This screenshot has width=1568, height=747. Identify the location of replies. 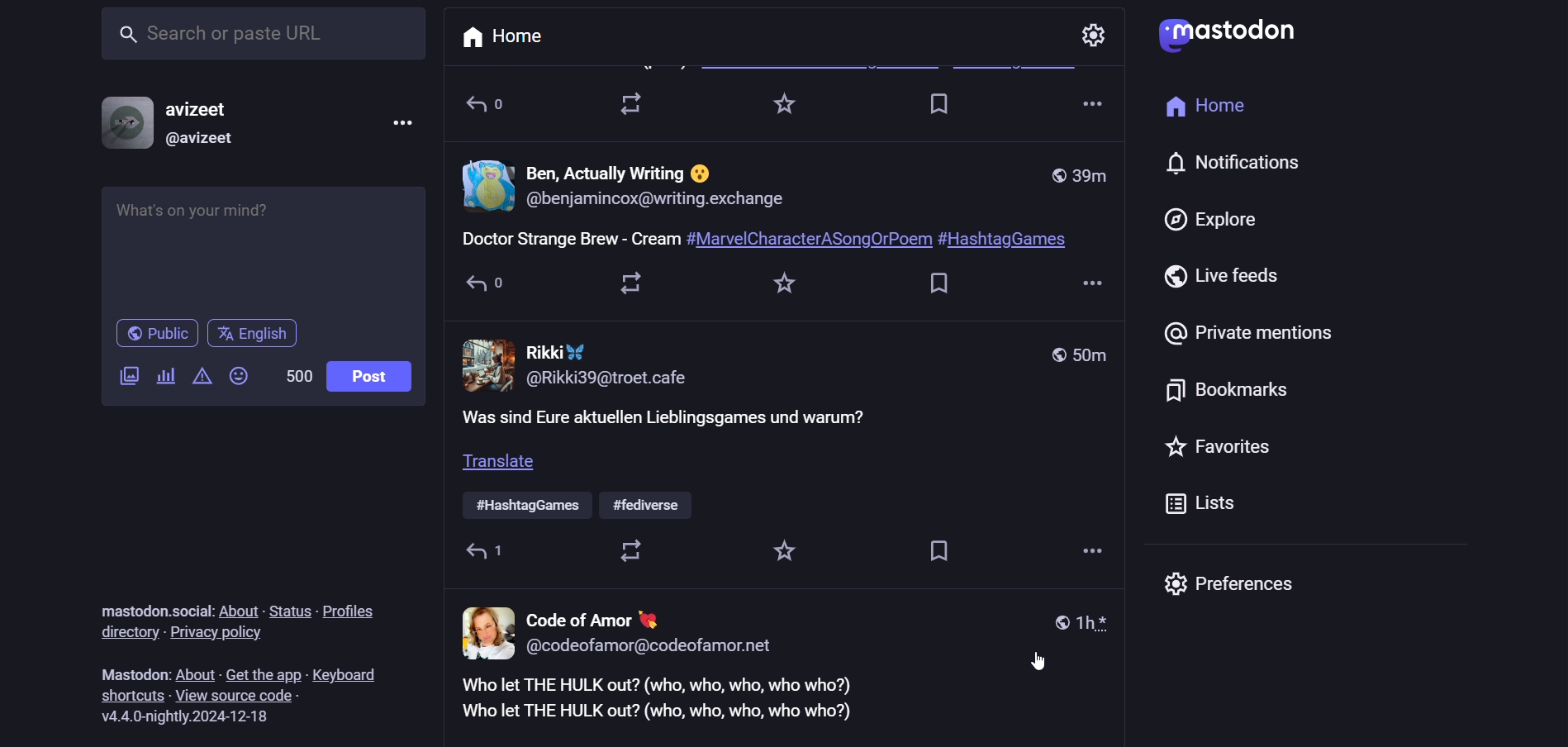
(488, 553).